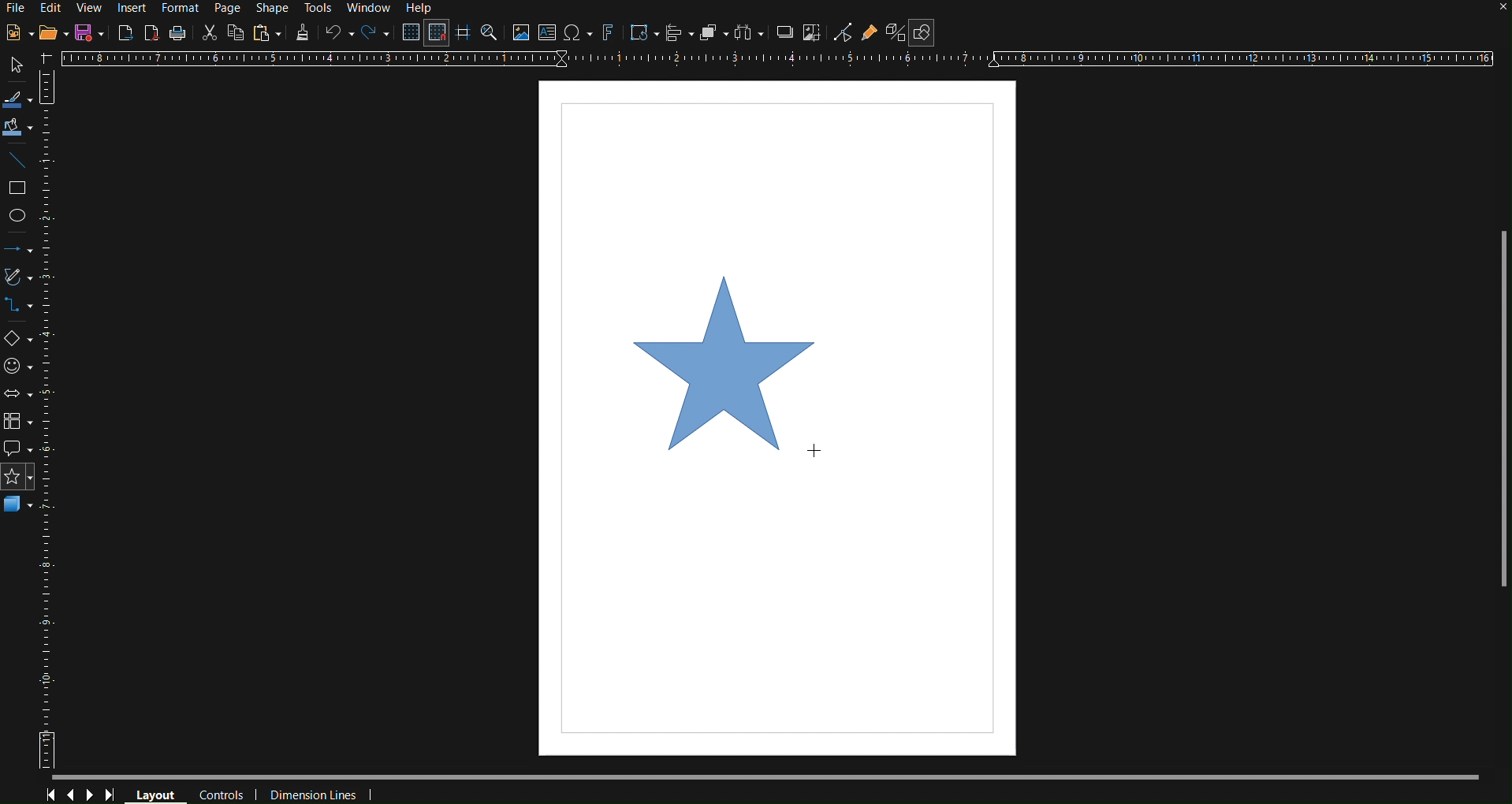 The height and width of the screenshot is (804, 1512). What do you see at coordinates (17, 100) in the screenshot?
I see `Select` at bounding box center [17, 100].